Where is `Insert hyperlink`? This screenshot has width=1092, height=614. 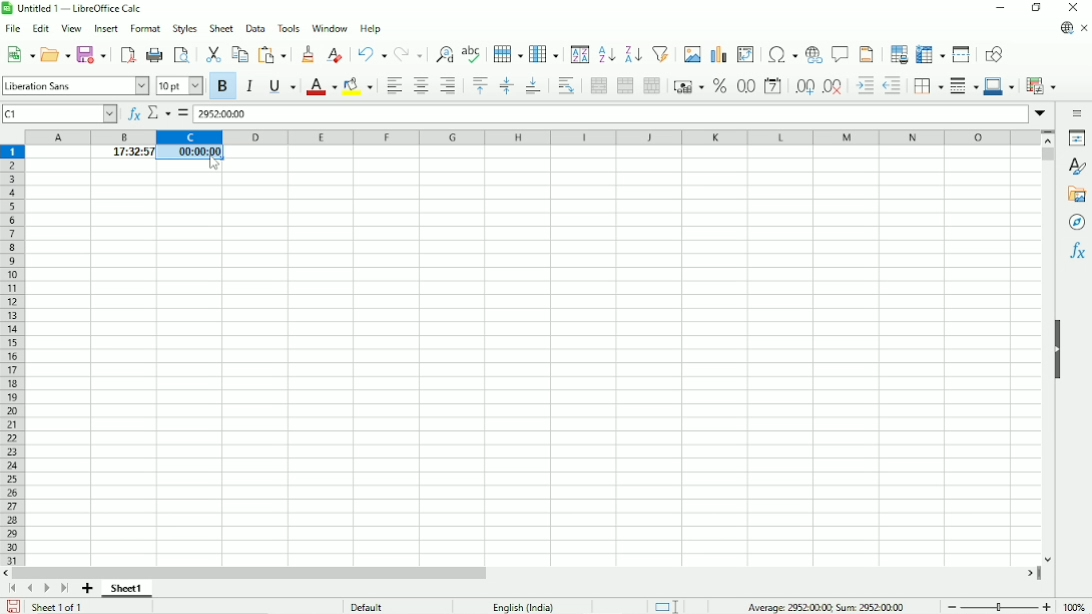
Insert hyperlink is located at coordinates (814, 55).